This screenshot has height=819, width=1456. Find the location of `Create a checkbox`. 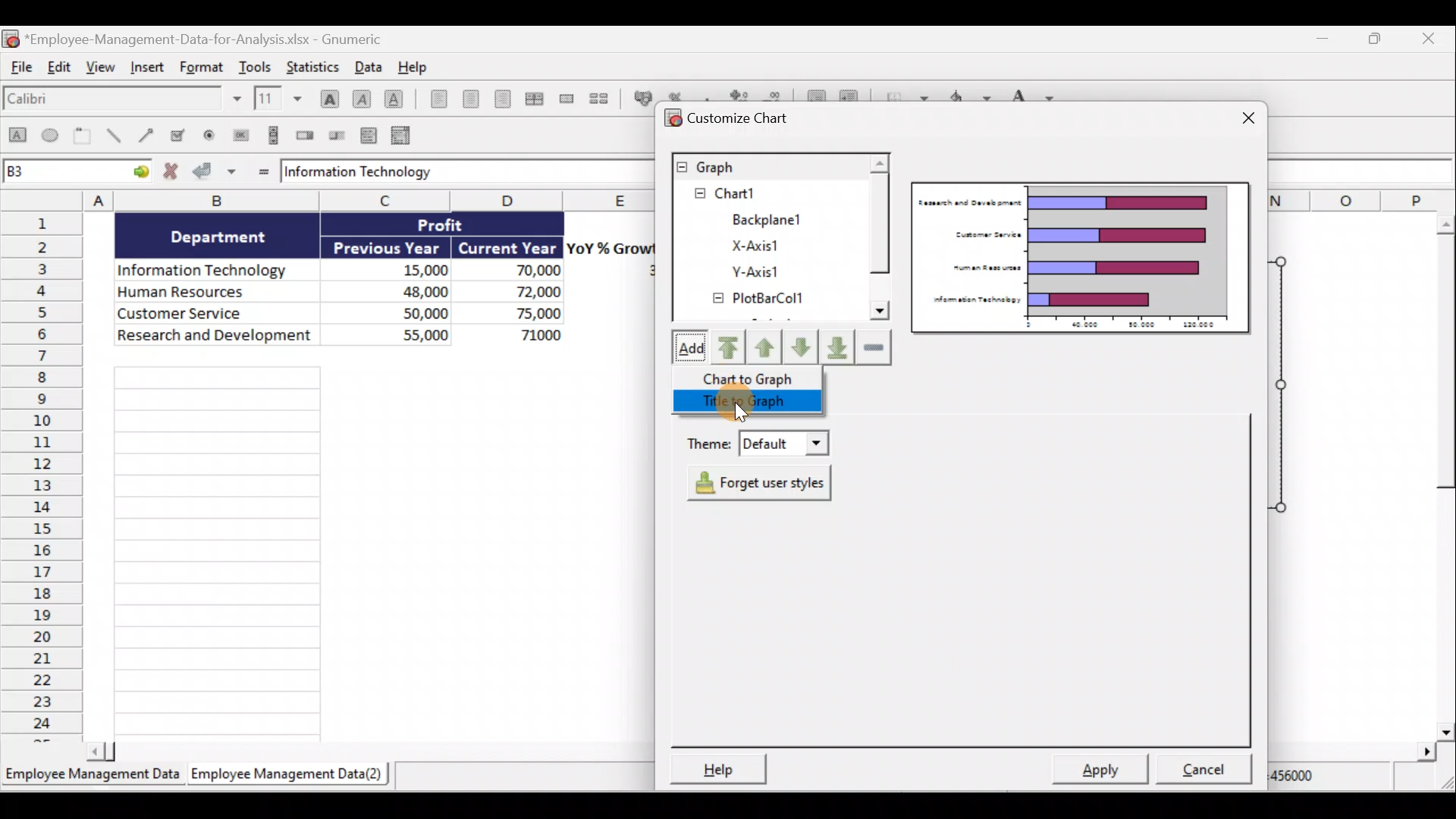

Create a checkbox is located at coordinates (184, 135).